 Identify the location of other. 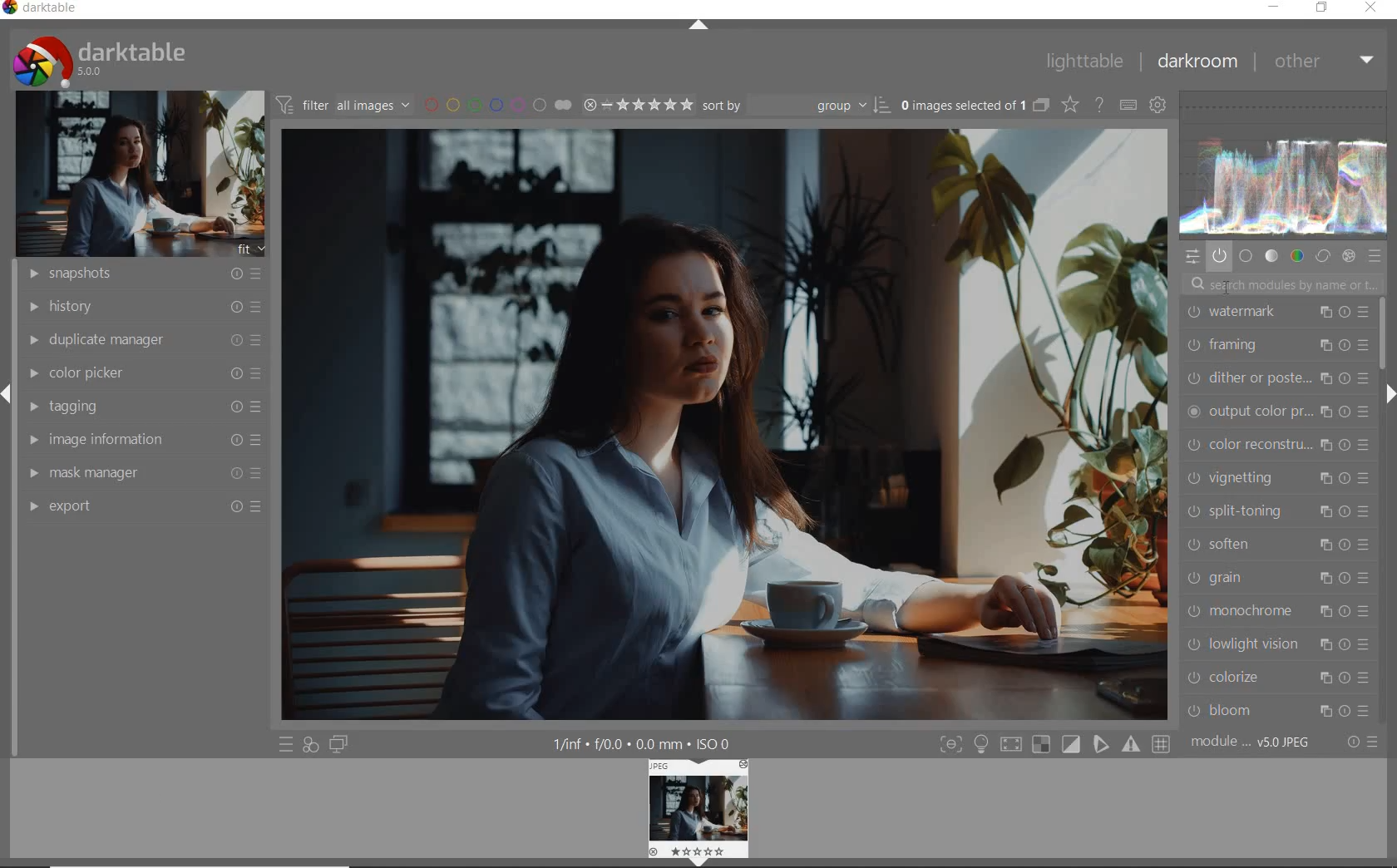
(1323, 61).